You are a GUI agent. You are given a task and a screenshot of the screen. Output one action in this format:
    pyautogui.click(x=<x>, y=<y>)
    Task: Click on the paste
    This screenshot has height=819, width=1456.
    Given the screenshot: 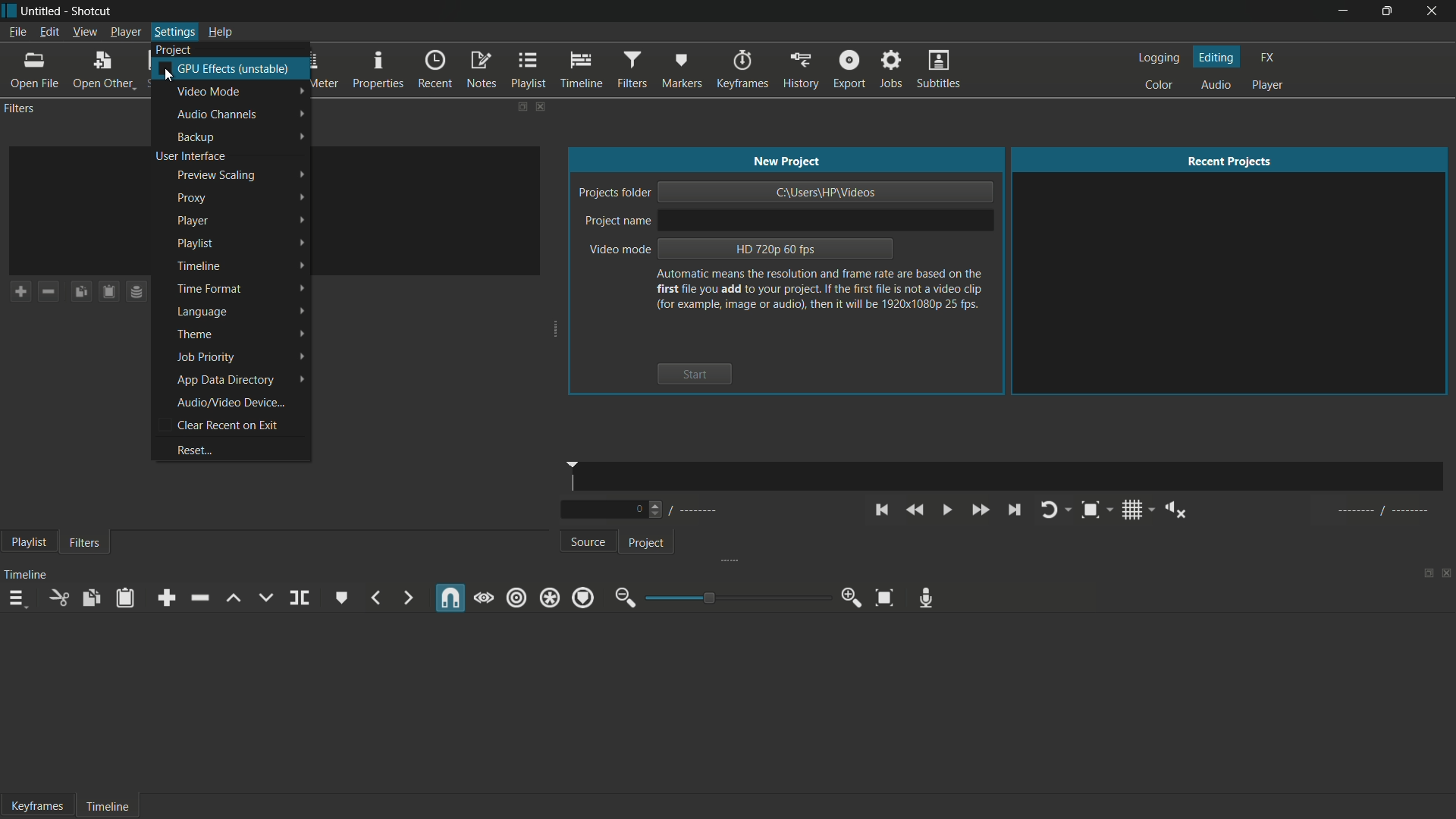 What is the action you would take?
    pyautogui.click(x=124, y=598)
    